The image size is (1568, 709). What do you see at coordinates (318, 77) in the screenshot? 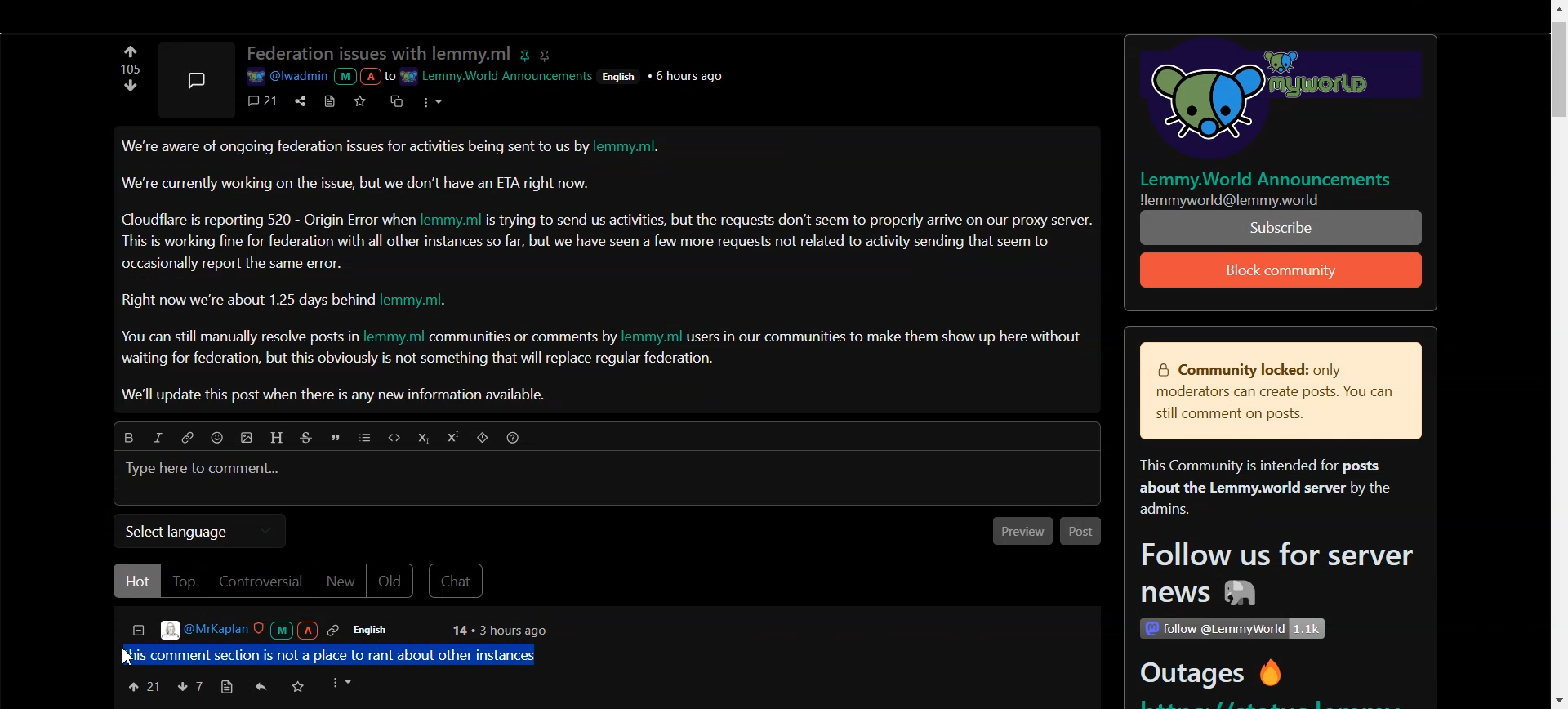
I see `a @iwaamin` at bounding box center [318, 77].